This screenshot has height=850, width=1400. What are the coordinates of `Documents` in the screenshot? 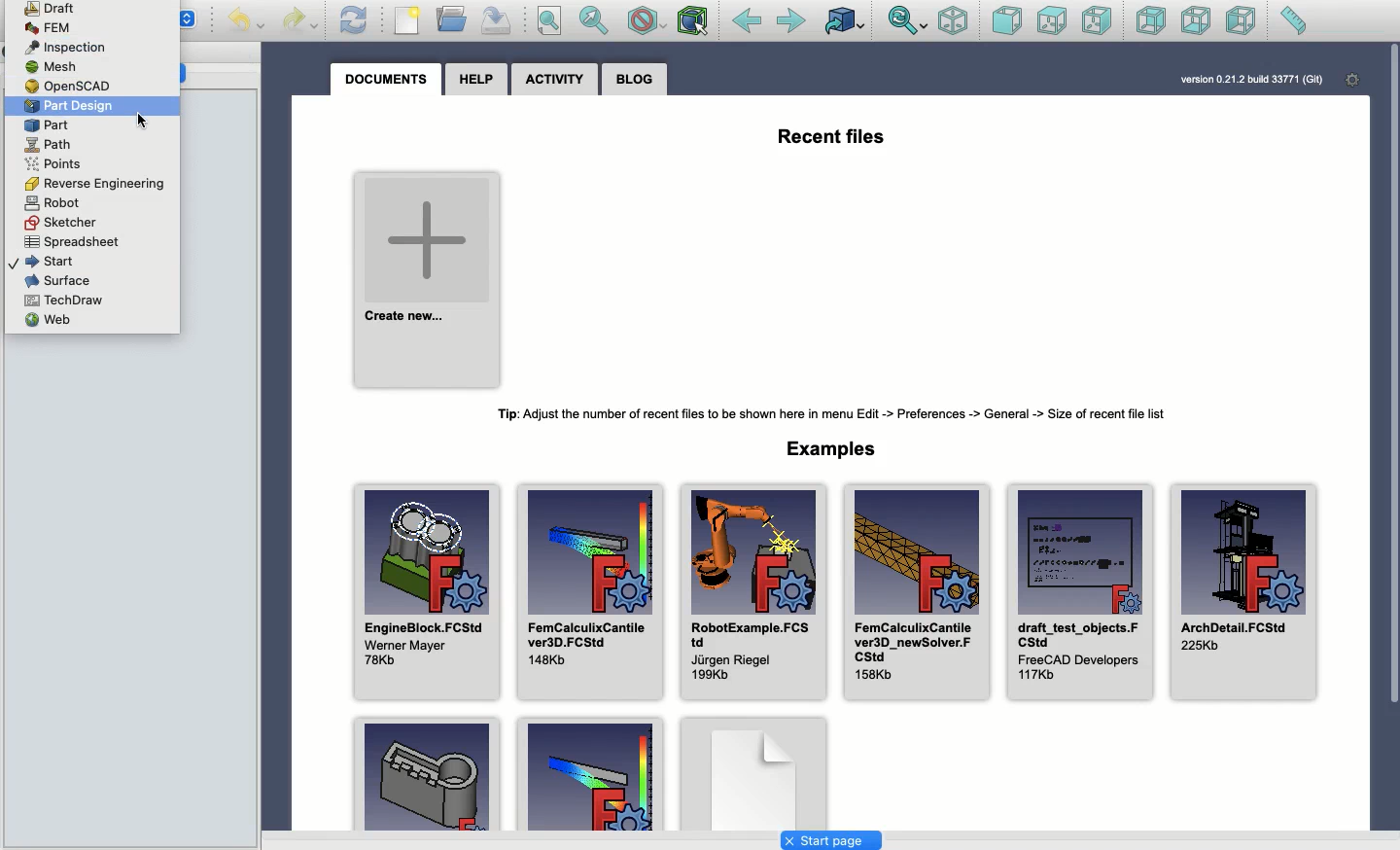 It's located at (387, 80).